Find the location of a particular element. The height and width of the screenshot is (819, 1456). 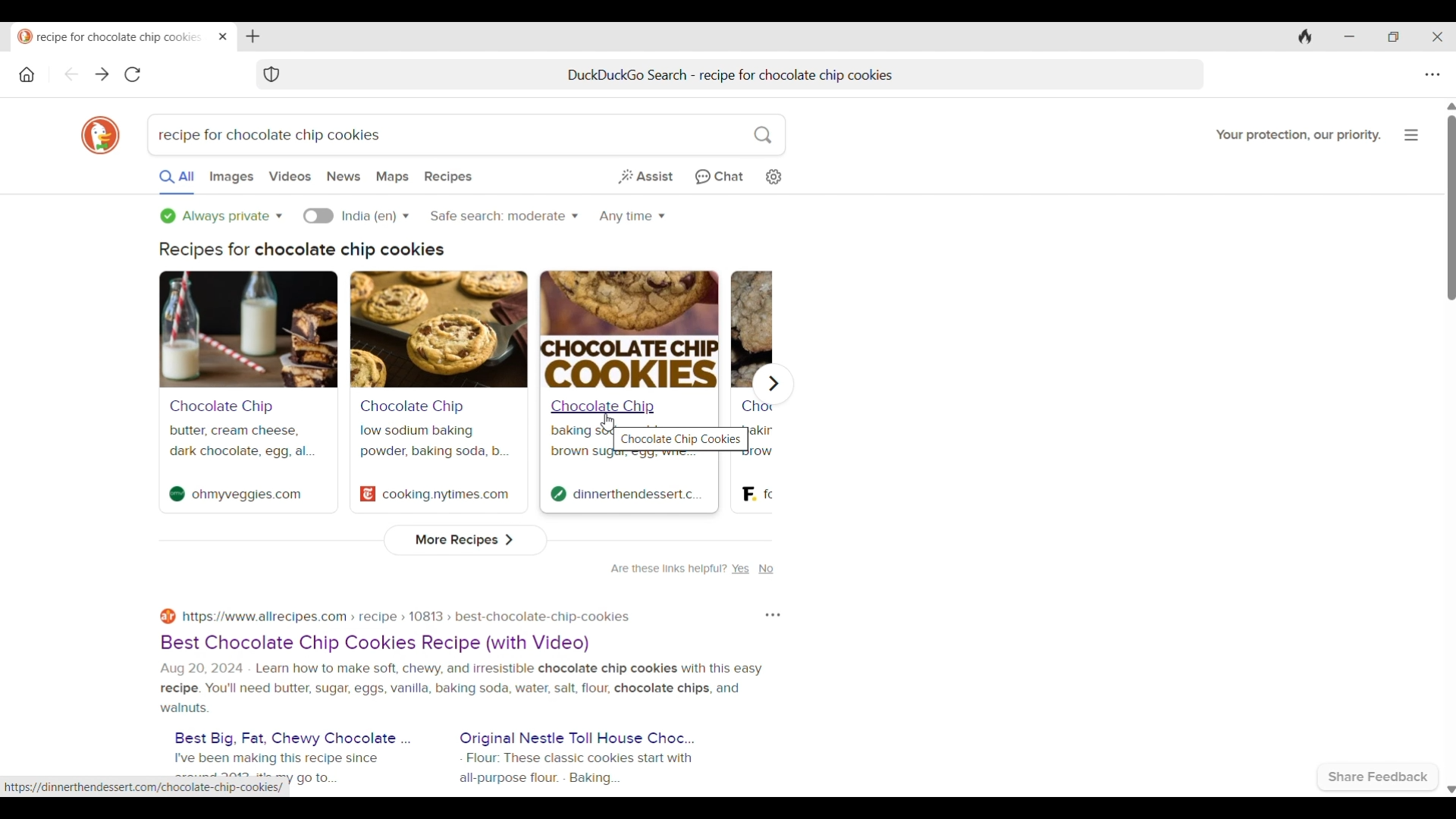

I've been making this recipe since is located at coordinates (278, 759).